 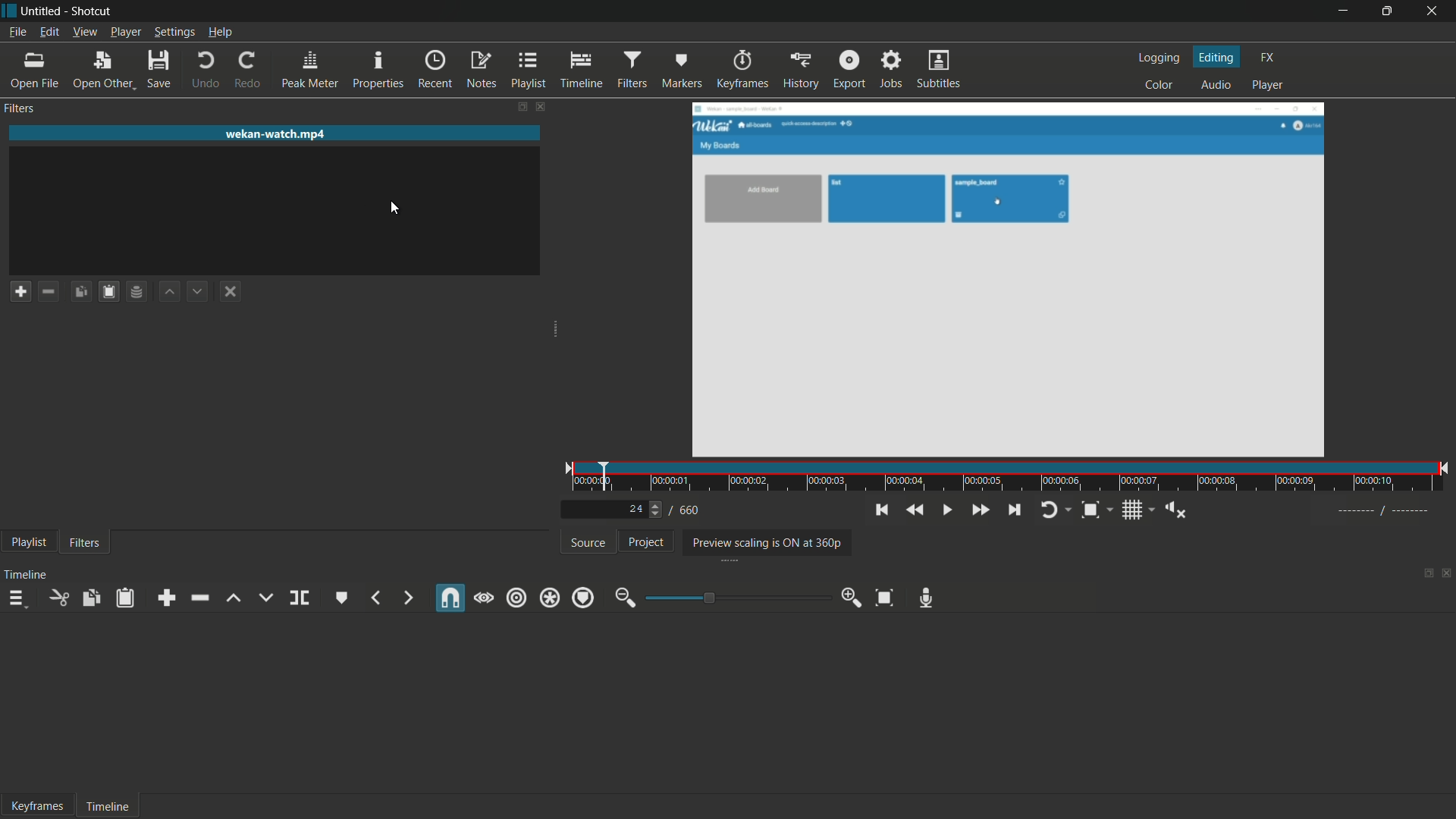 What do you see at coordinates (93, 597) in the screenshot?
I see `copy` at bounding box center [93, 597].